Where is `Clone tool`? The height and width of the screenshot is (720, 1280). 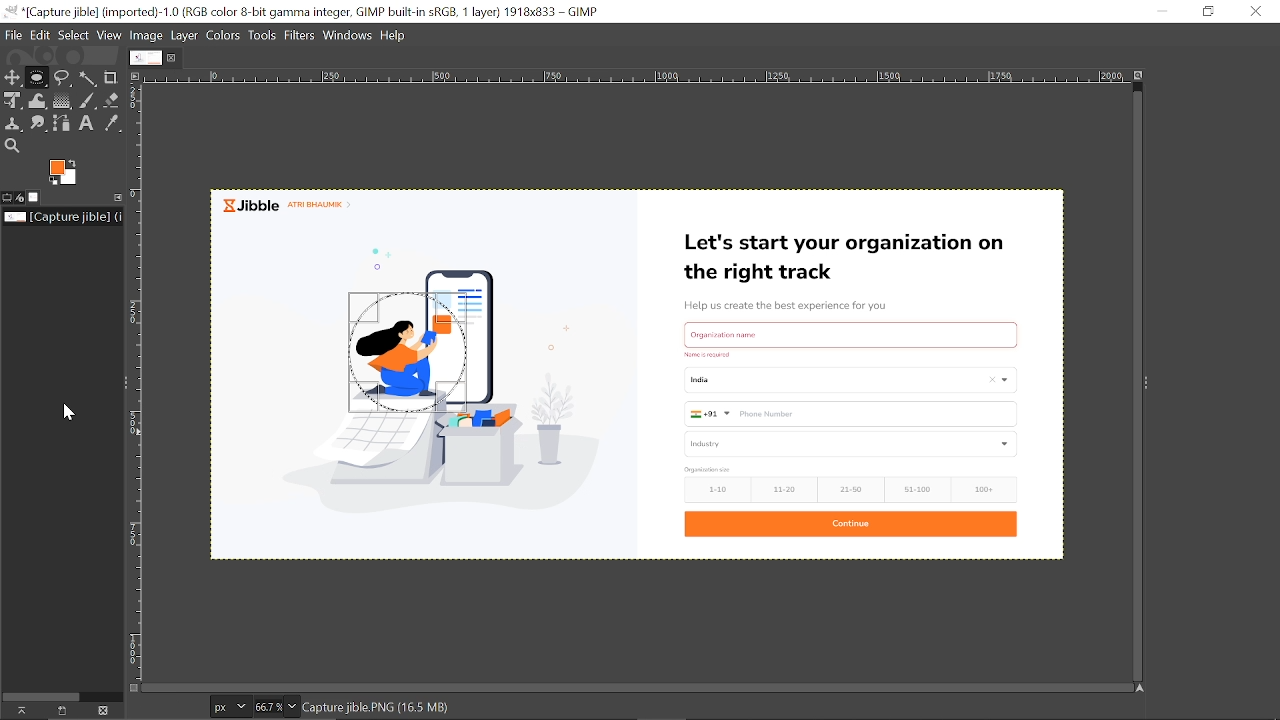
Clone tool is located at coordinates (16, 123).